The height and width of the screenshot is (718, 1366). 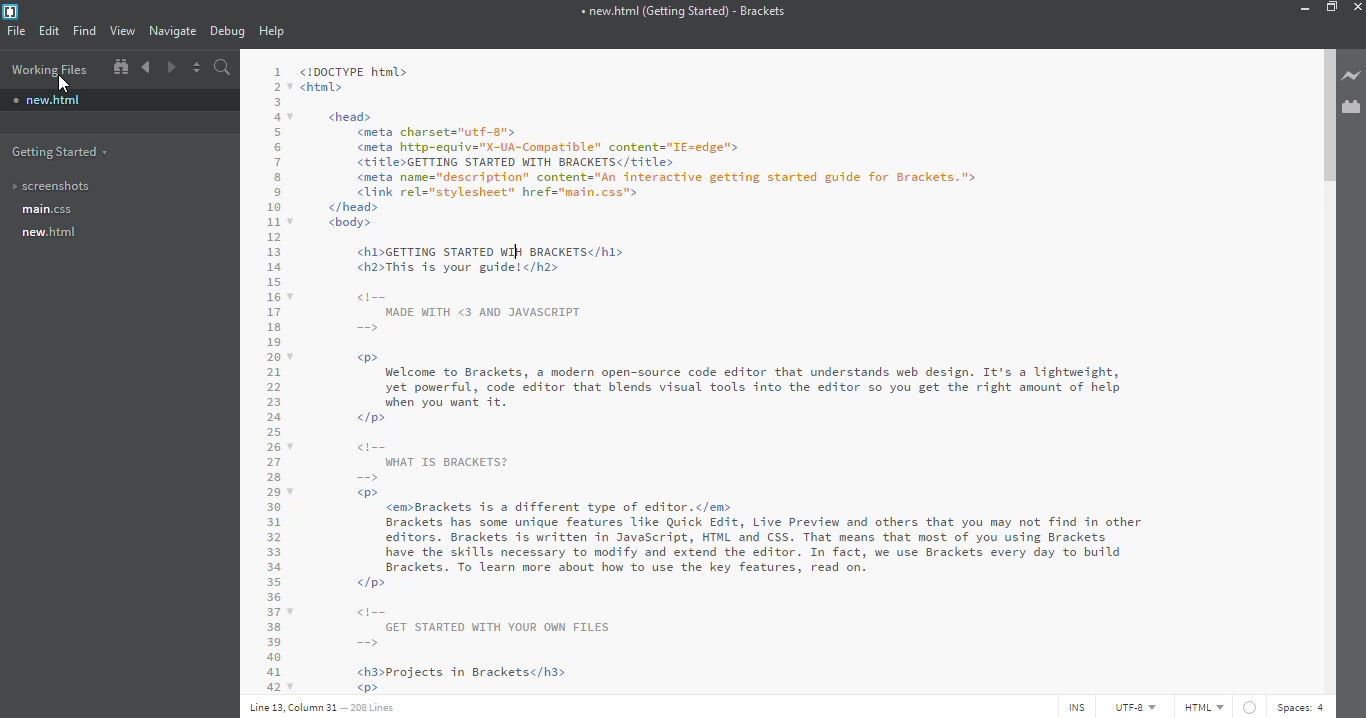 What do you see at coordinates (273, 32) in the screenshot?
I see `help` at bounding box center [273, 32].